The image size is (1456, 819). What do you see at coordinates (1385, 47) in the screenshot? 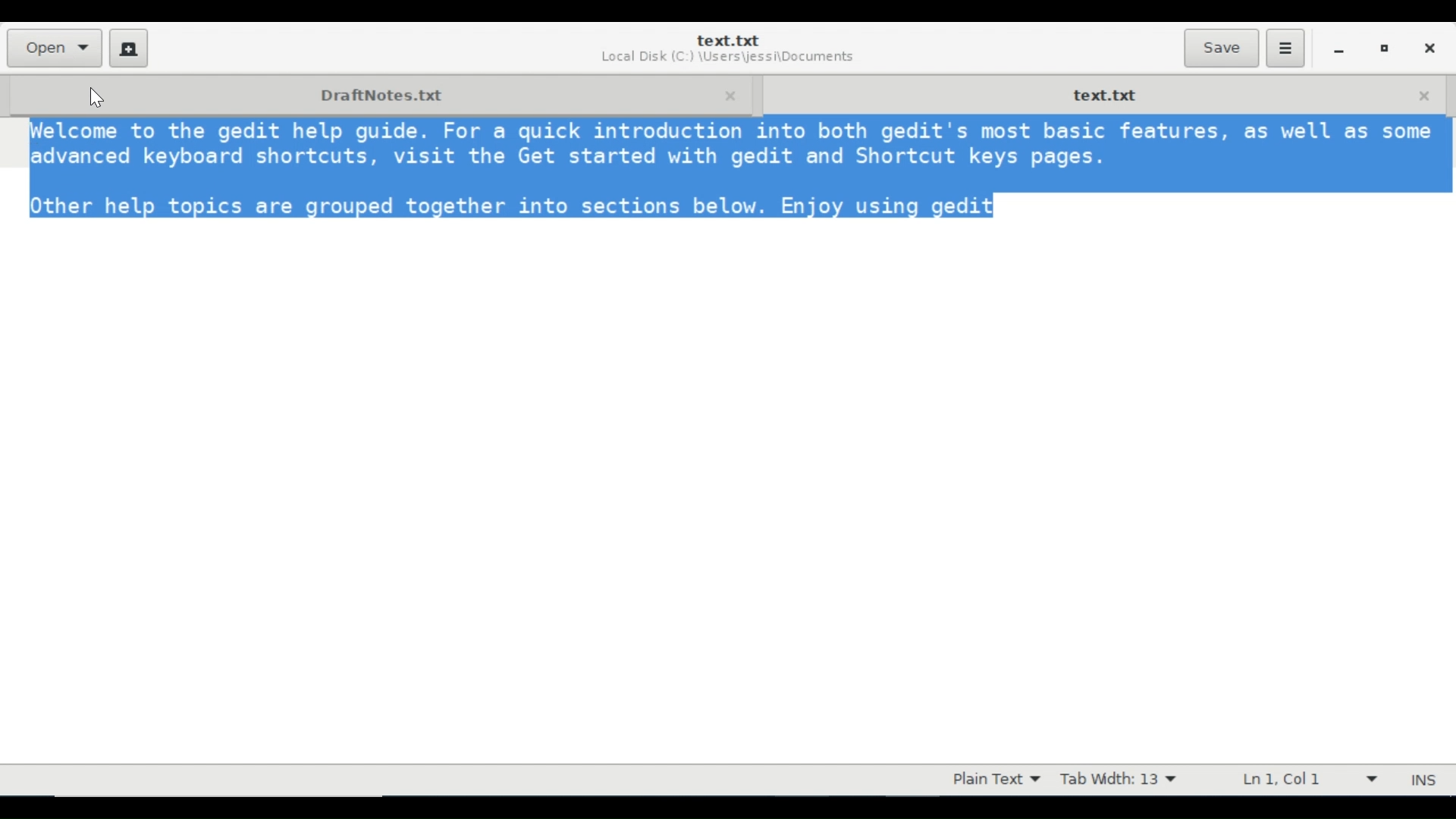
I see `Restore` at bounding box center [1385, 47].